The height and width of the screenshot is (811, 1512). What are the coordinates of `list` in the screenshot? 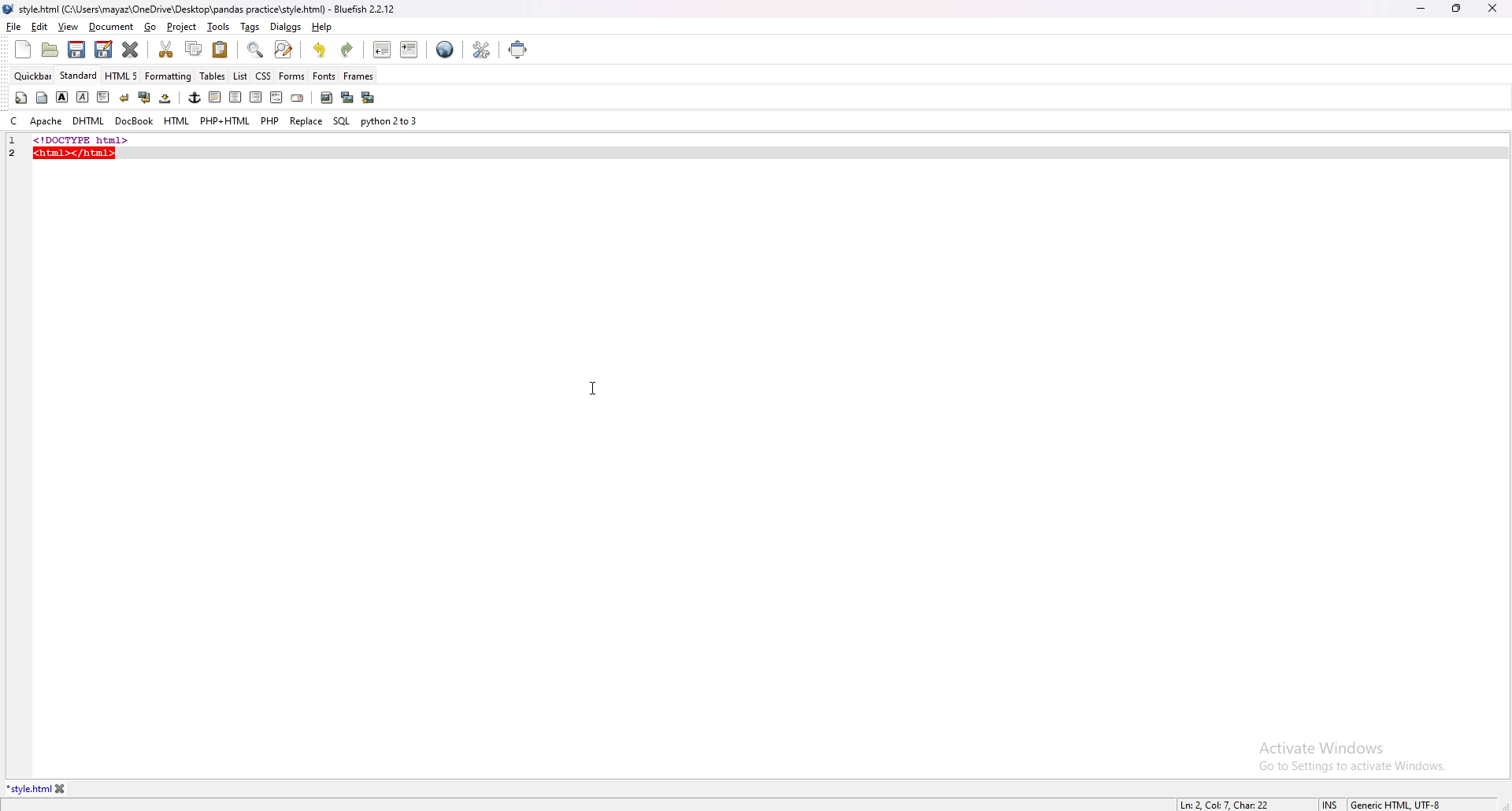 It's located at (240, 75).